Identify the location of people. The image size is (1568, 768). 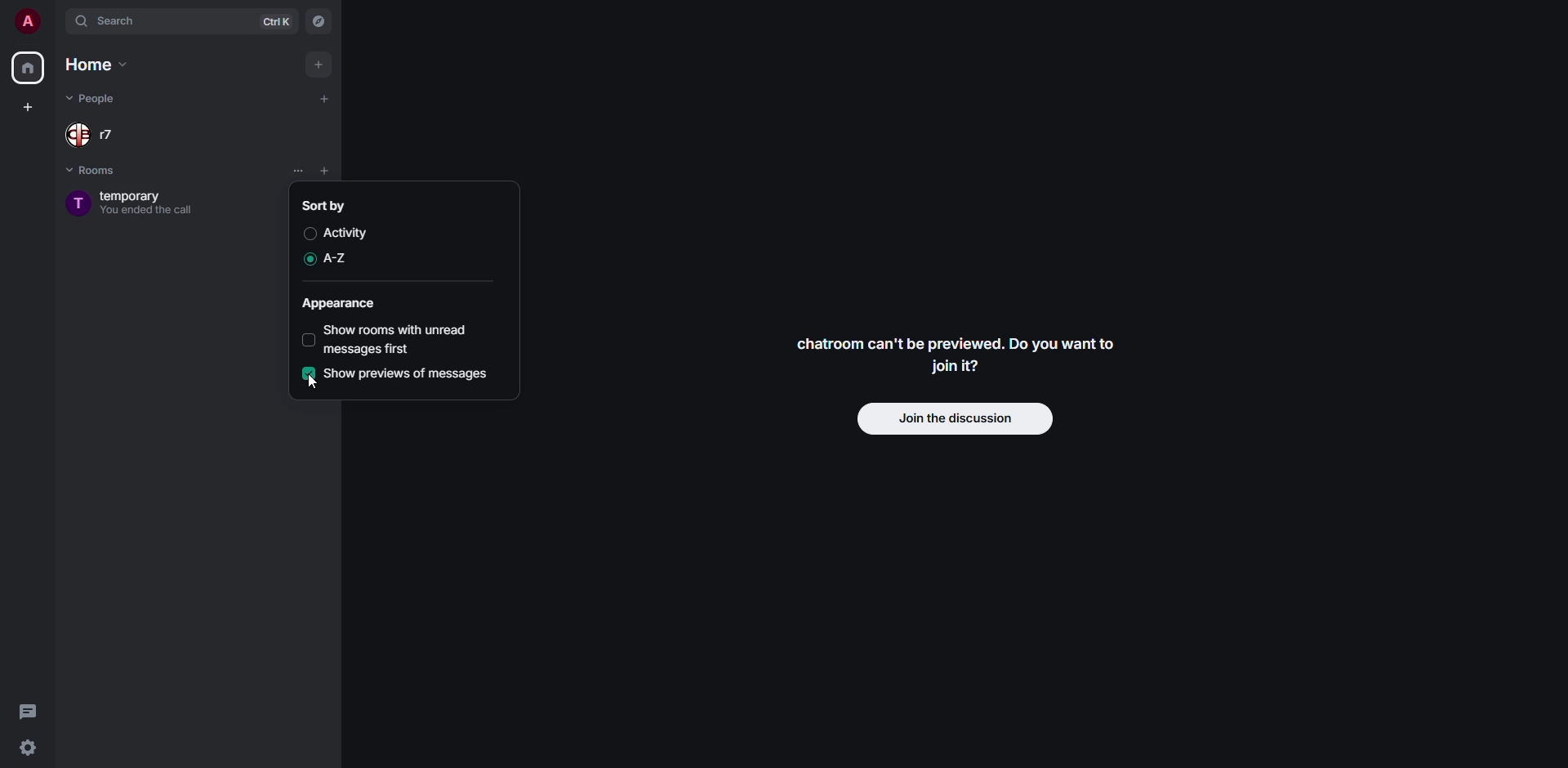
(96, 97).